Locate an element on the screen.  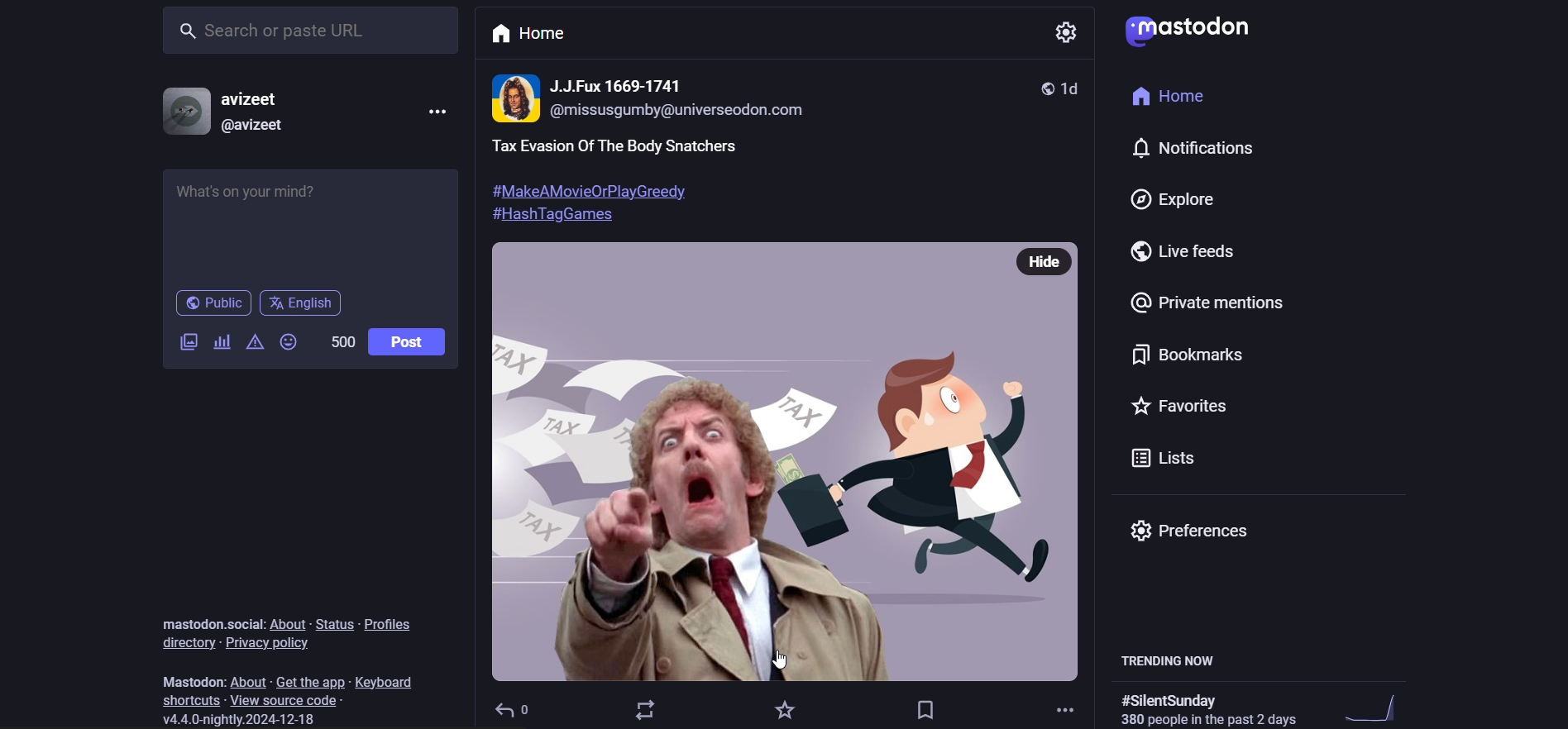
image is located at coordinates (754, 463).